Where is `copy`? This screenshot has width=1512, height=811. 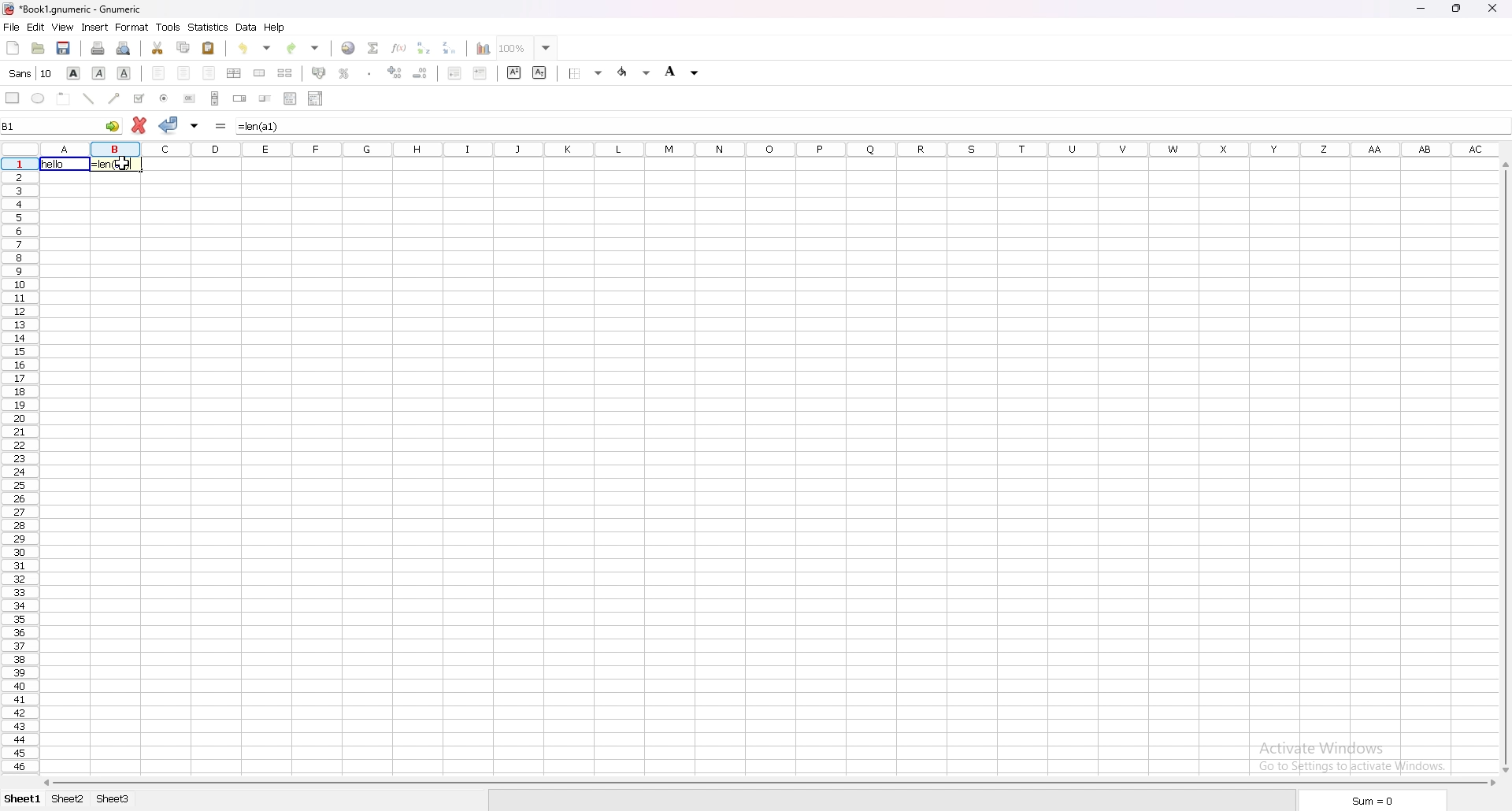 copy is located at coordinates (183, 46).